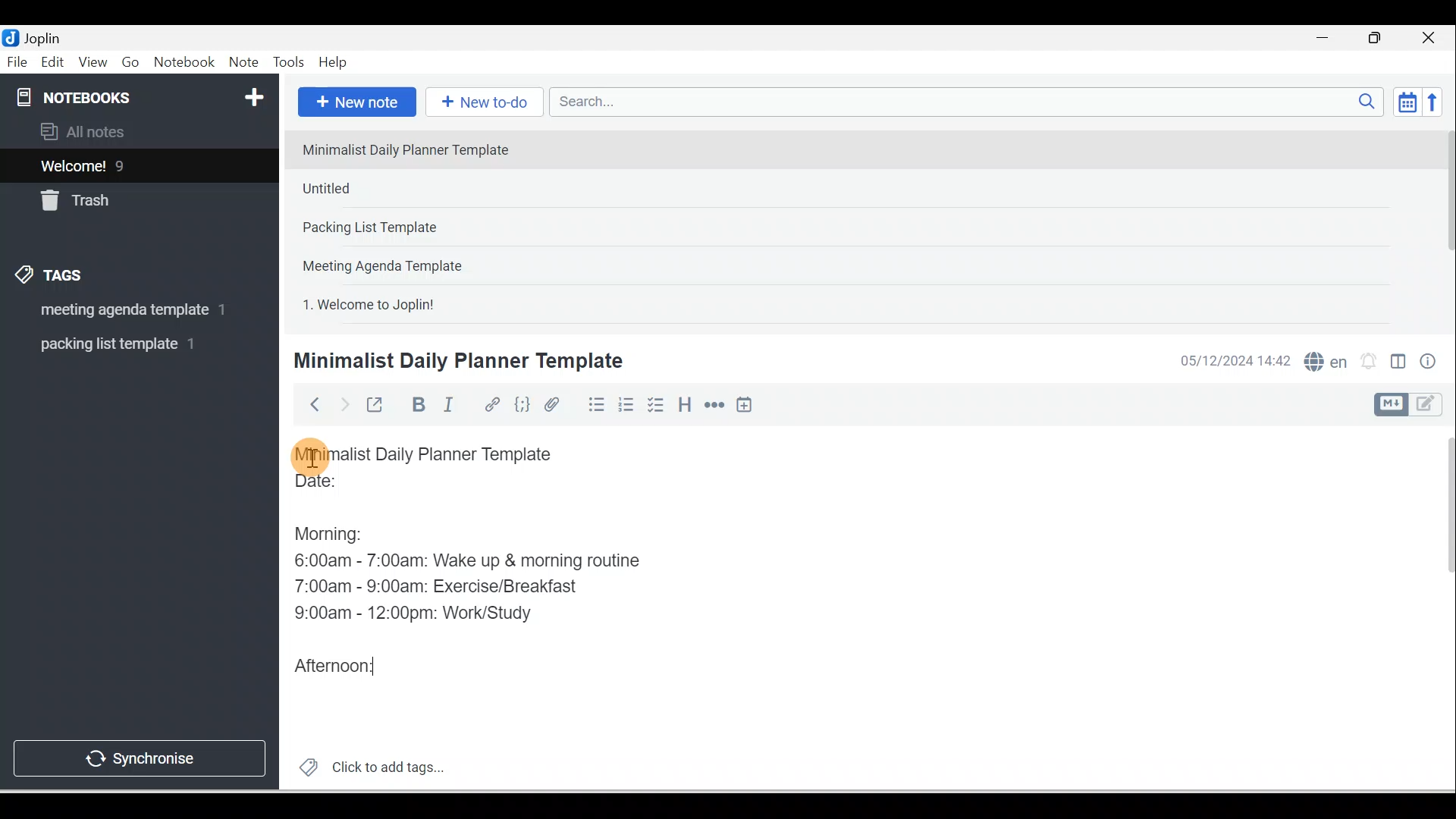 The width and height of the screenshot is (1456, 819). What do you see at coordinates (54, 278) in the screenshot?
I see `Tags` at bounding box center [54, 278].